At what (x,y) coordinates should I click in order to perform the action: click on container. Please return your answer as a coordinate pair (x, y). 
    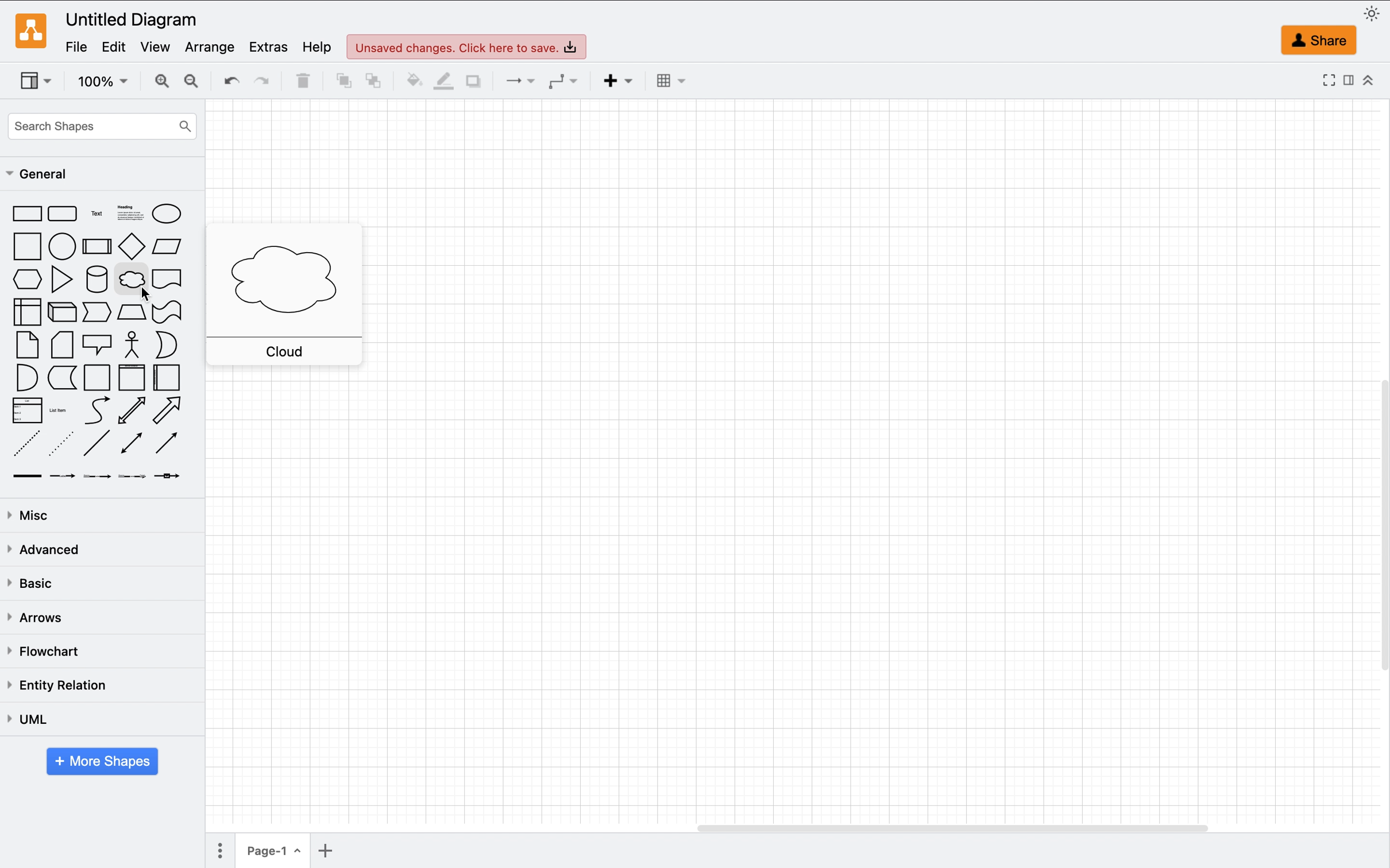
    Looking at the image, I should click on (99, 377).